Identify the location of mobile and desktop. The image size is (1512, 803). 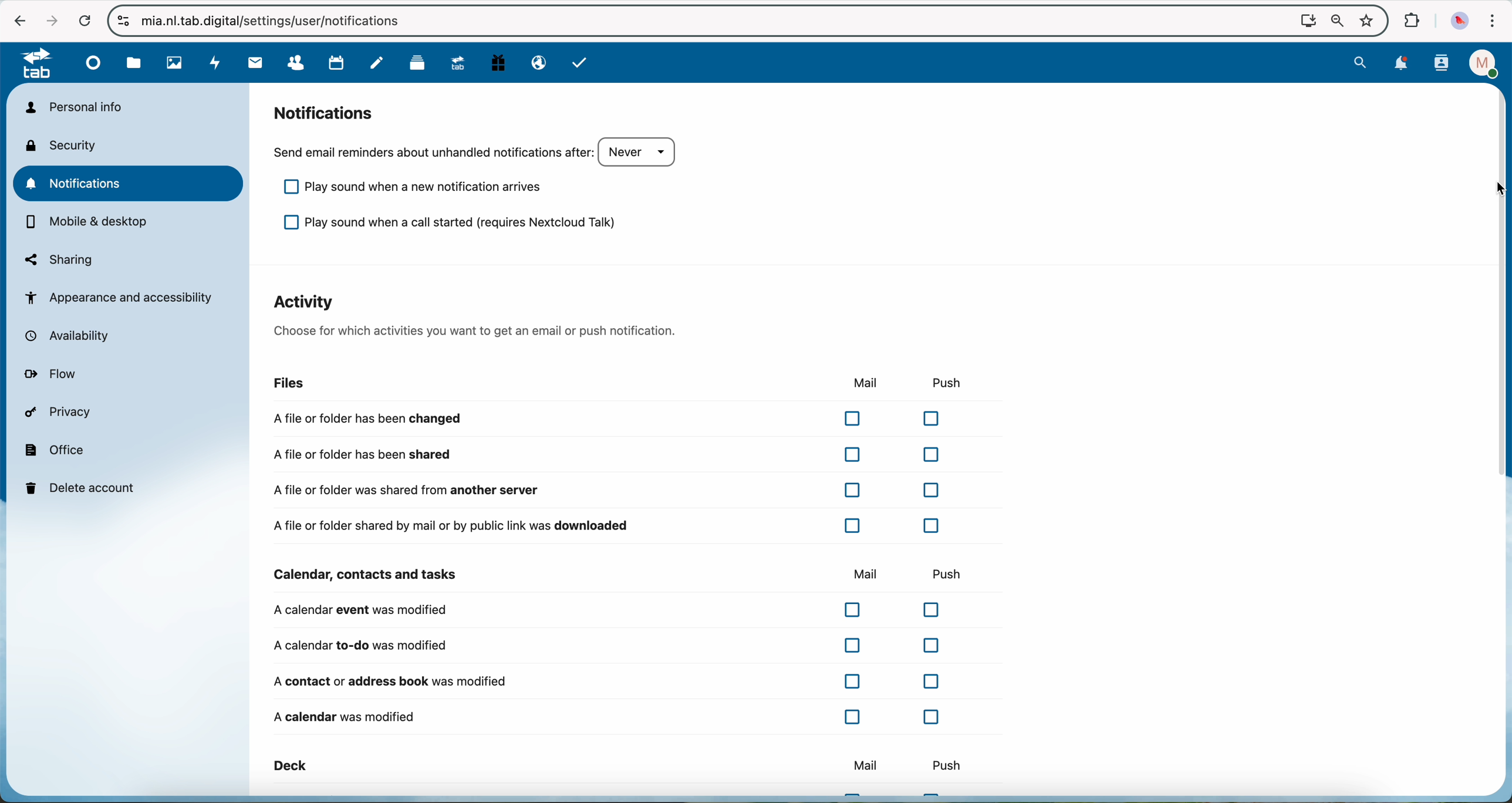
(89, 223).